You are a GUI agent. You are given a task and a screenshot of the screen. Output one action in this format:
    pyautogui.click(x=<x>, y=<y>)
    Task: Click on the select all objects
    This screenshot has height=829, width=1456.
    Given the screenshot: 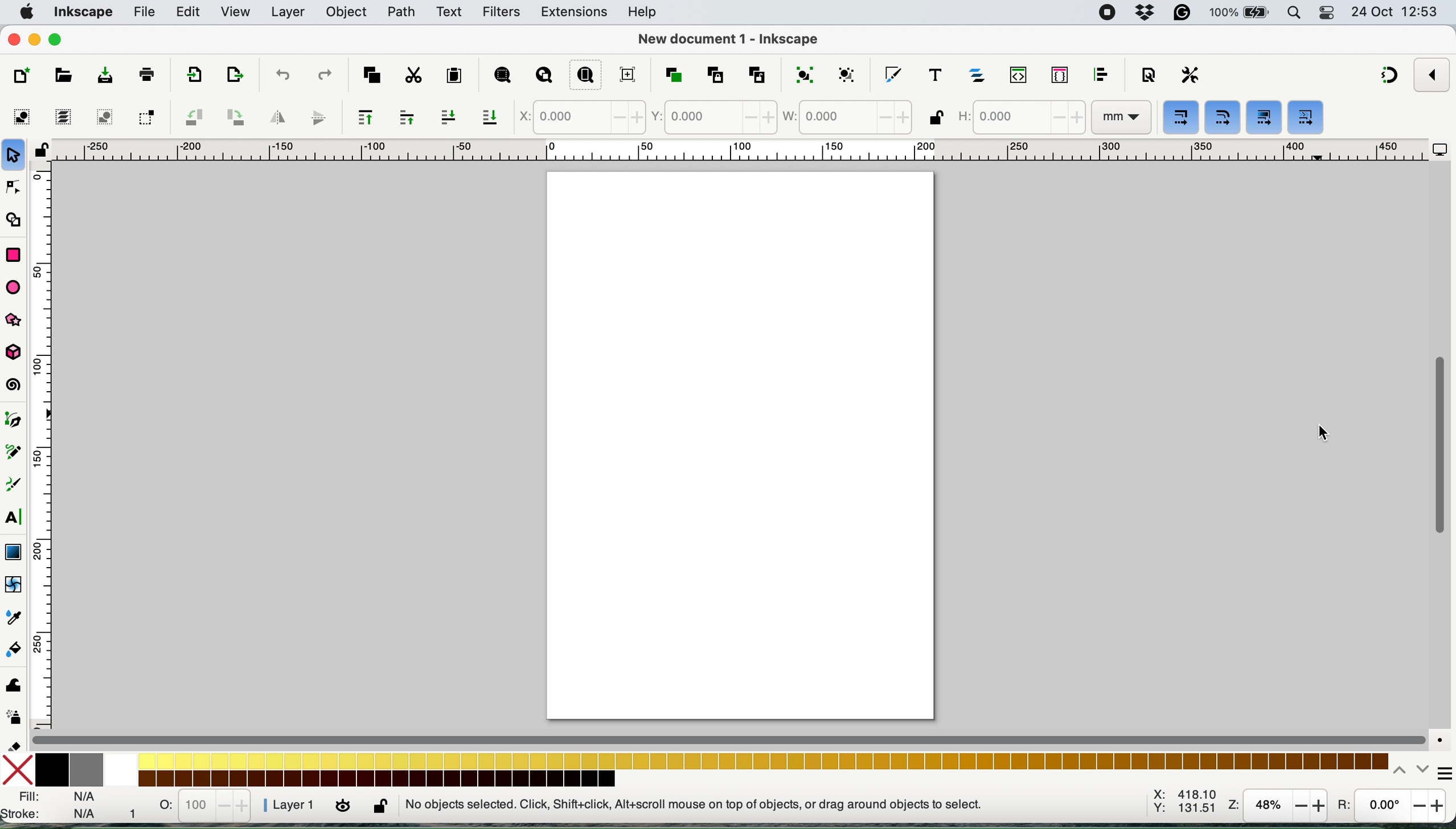 What is the action you would take?
    pyautogui.click(x=19, y=116)
    